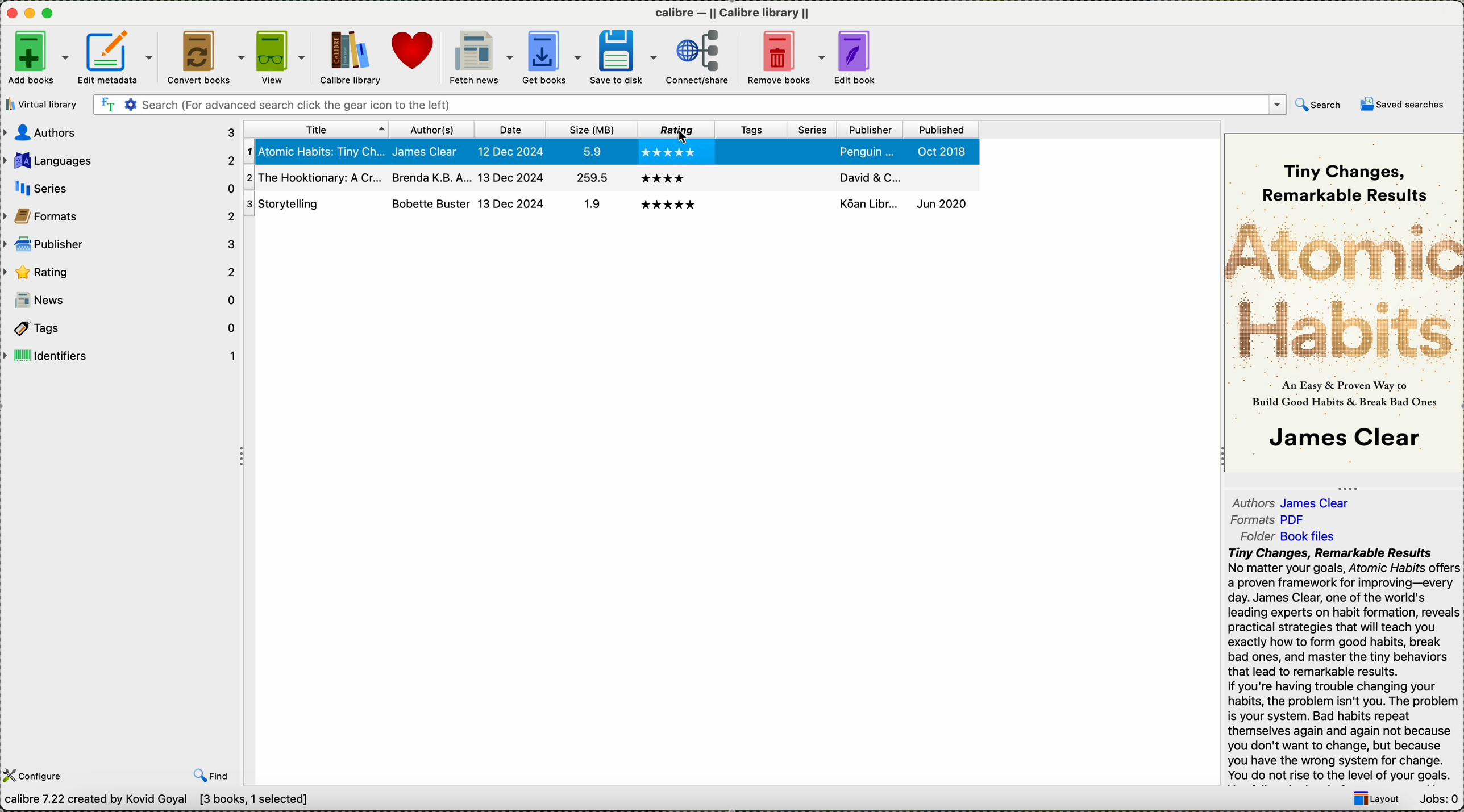  What do you see at coordinates (38, 60) in the screenshot?
I see `add books` at bounding box center [38, 60].